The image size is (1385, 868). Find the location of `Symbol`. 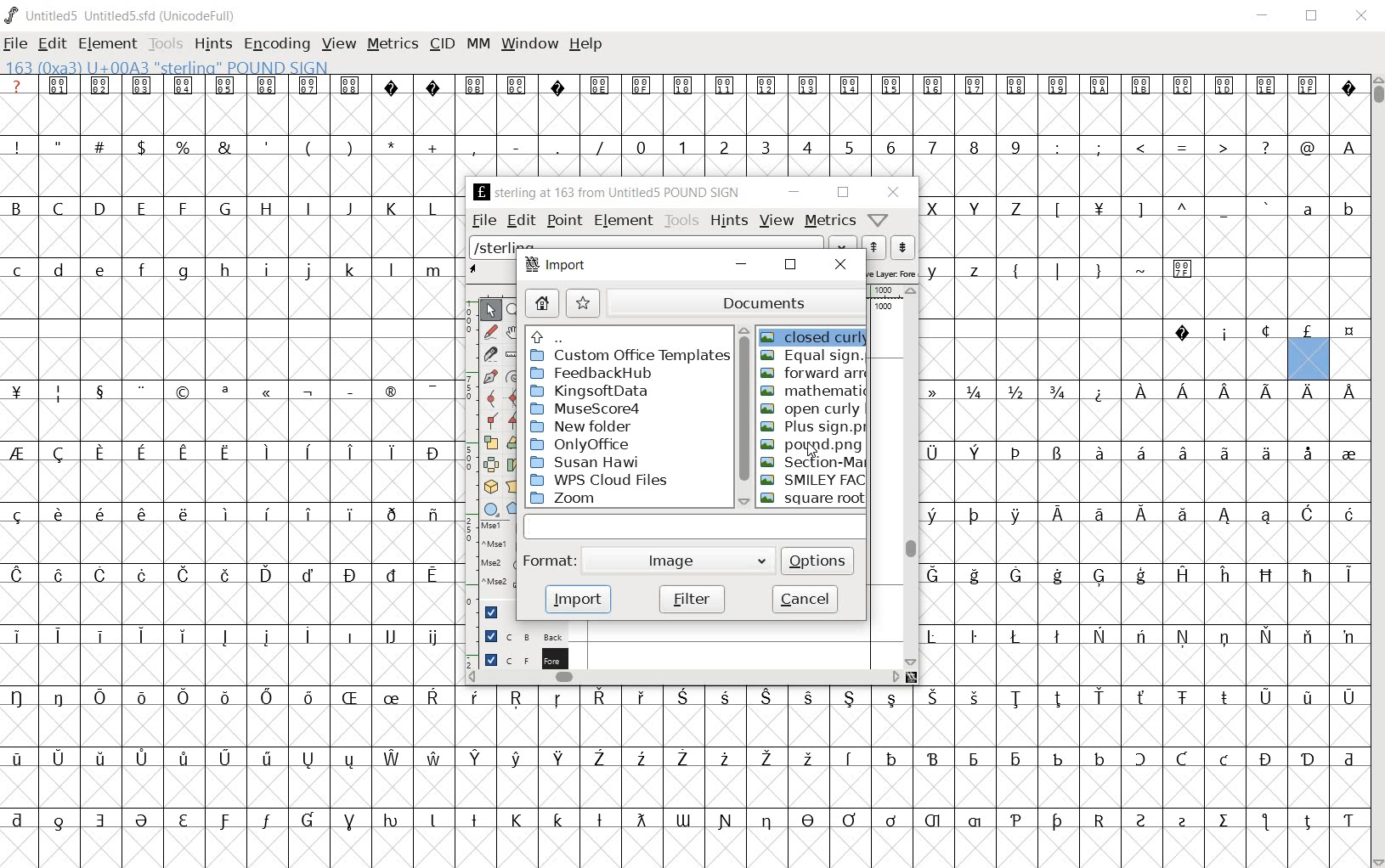

Symbol is located at coordinates (558, 759).